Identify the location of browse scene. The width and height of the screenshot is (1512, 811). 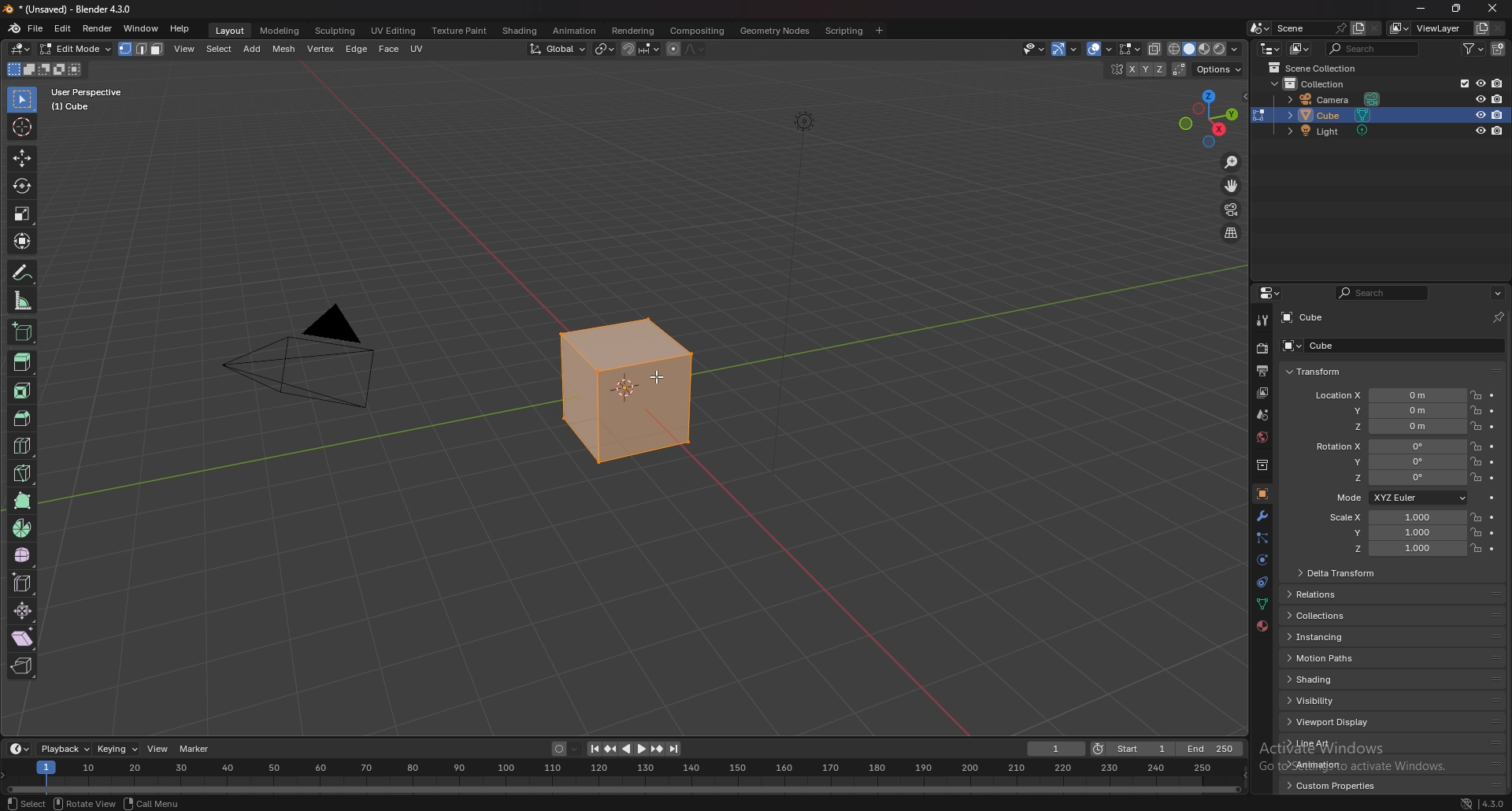
(1260, 28).